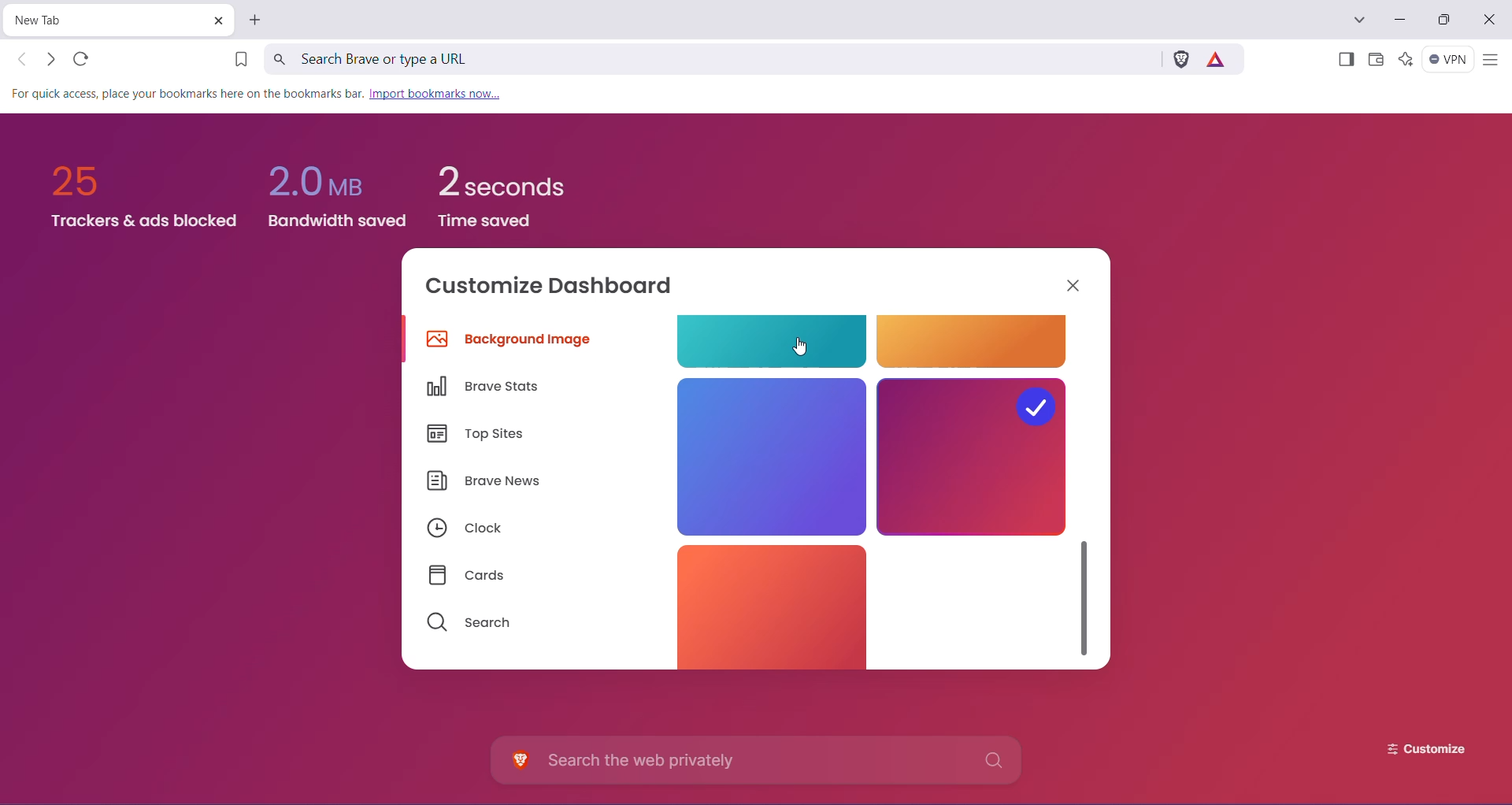  What do you see at coordinates (469, 623) in the screenshot?
I see `Search` at bounding box center [469, 623].